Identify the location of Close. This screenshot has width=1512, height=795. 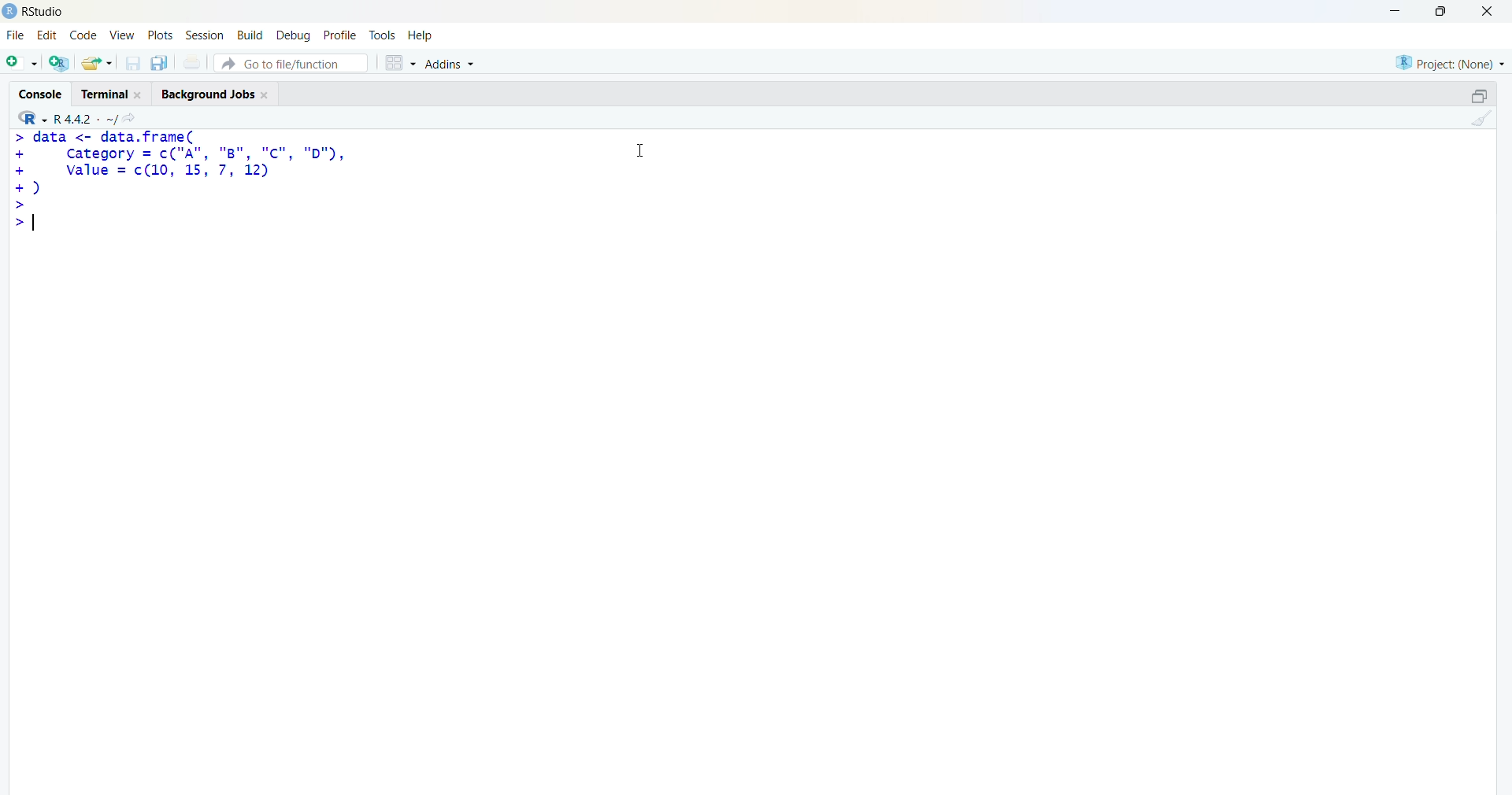
(1484, 11).